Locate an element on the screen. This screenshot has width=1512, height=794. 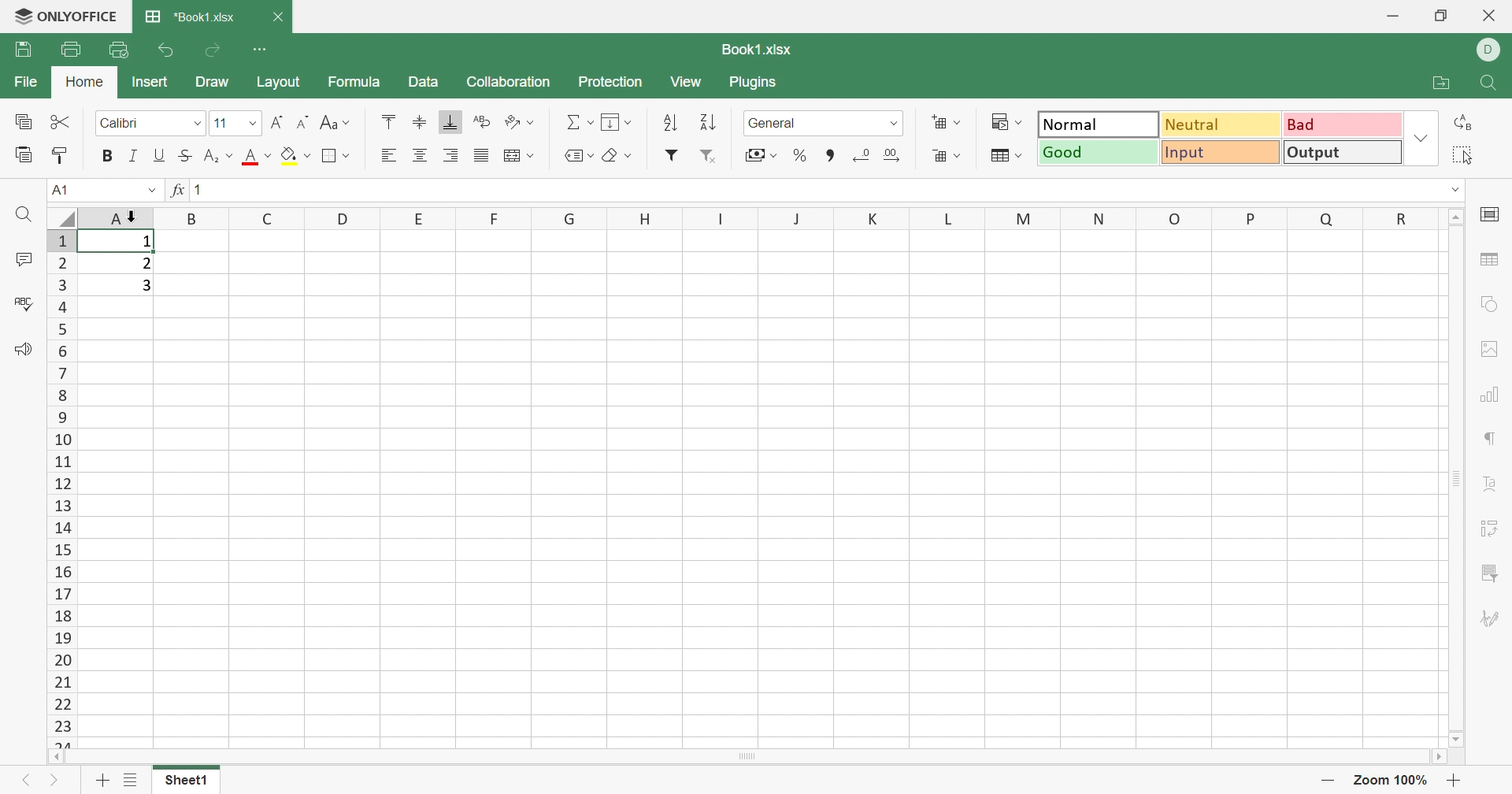
Cut is located at coordinates (61, 121).